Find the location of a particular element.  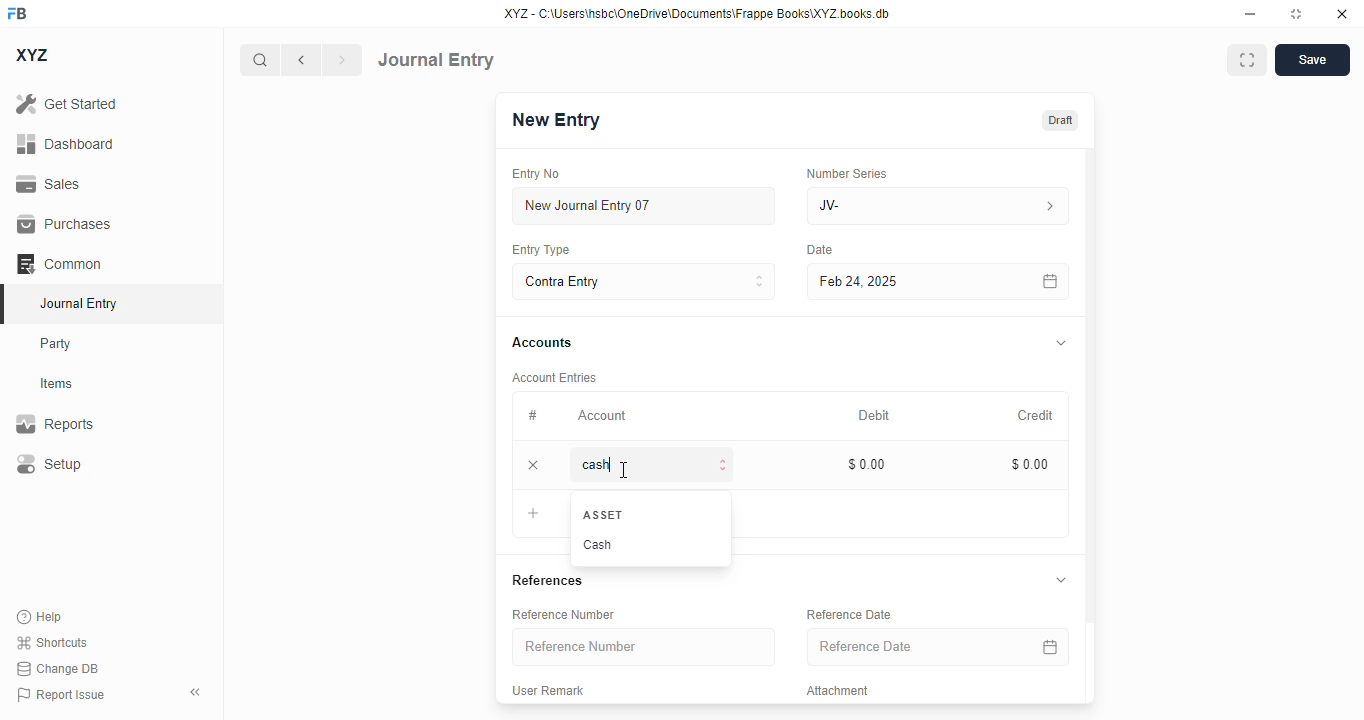

setup is located at coordinates (49, 463).